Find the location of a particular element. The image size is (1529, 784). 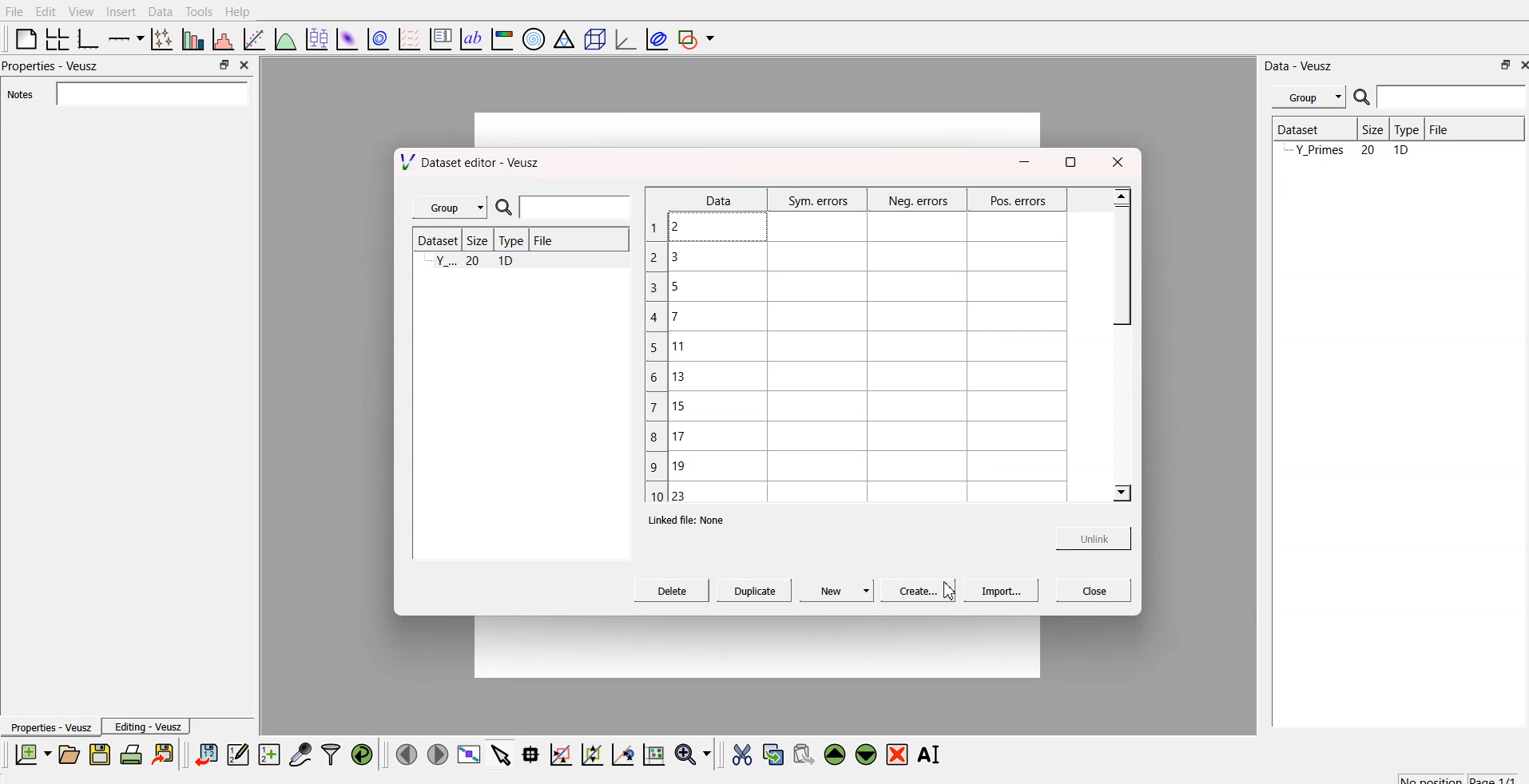

add shape to plot is located at coordinates (701, 37).